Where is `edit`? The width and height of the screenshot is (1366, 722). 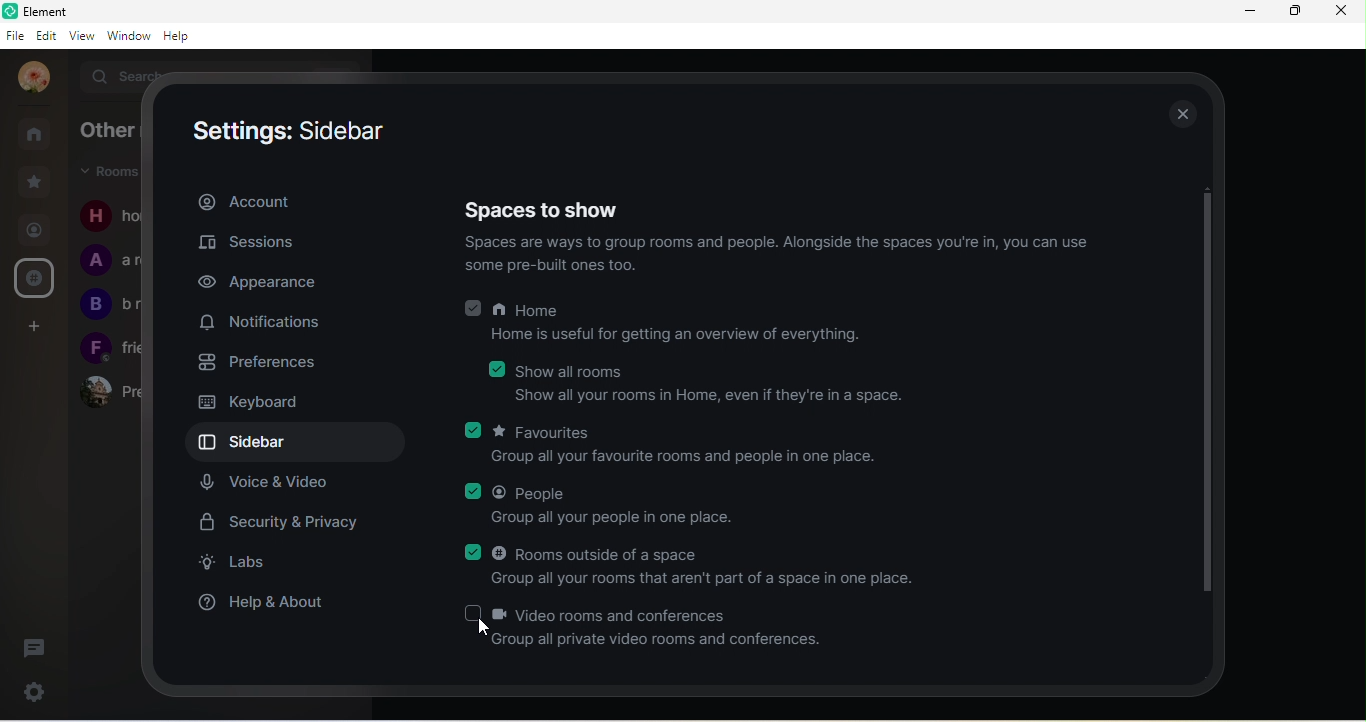
edit is located at coordinates (46, 37).